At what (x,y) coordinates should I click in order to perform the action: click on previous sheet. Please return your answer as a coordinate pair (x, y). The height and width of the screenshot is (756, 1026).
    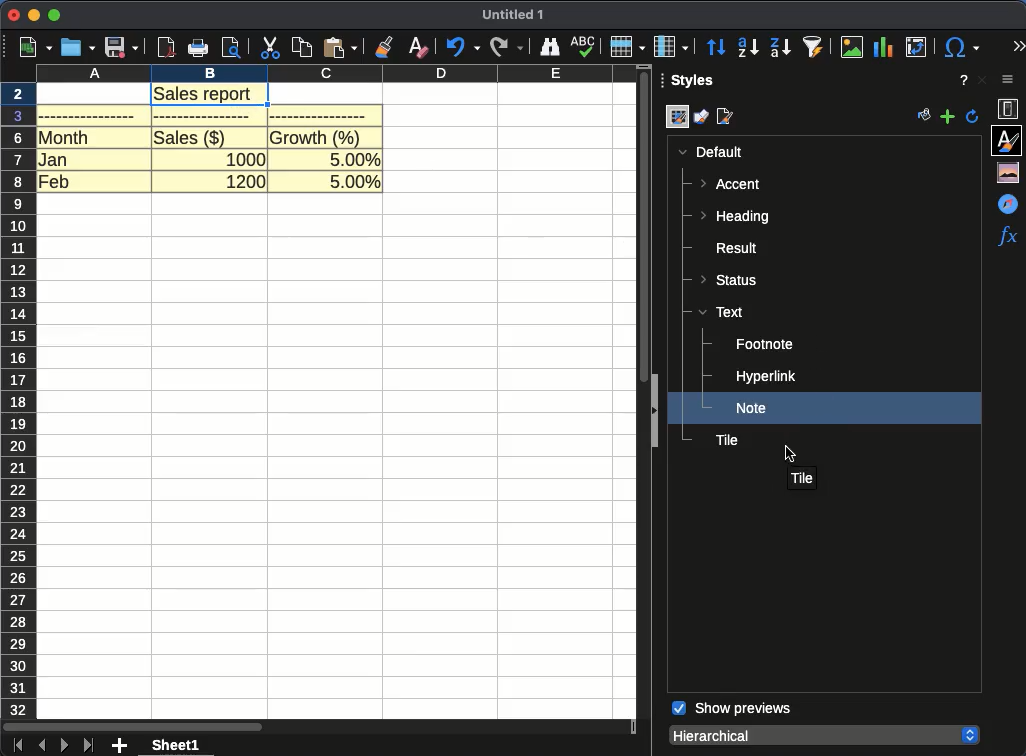
    Looking at the image, I should click on (42, 746).